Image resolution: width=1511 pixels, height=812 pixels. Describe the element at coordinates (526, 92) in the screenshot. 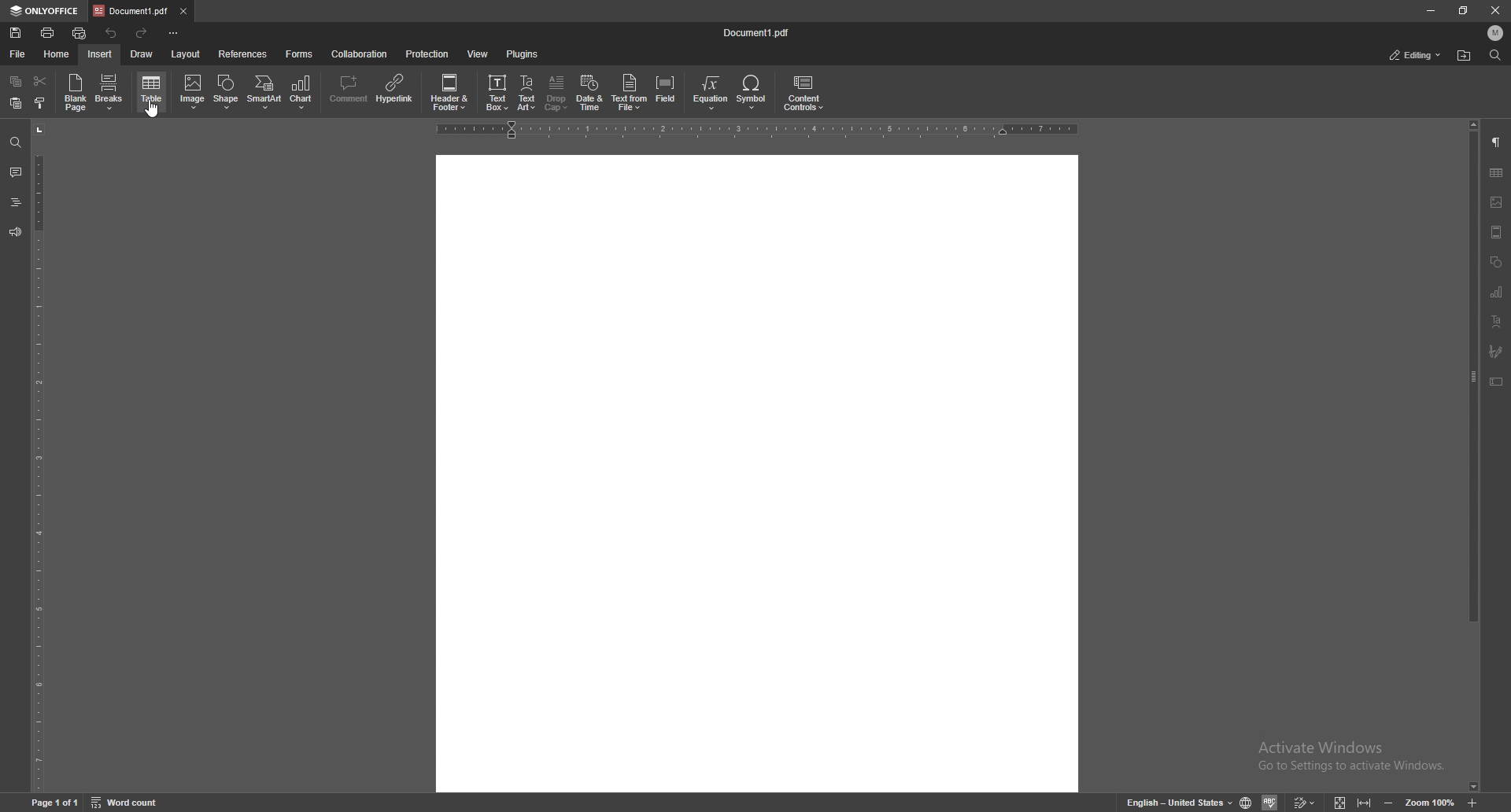

I see `text art` at that location.